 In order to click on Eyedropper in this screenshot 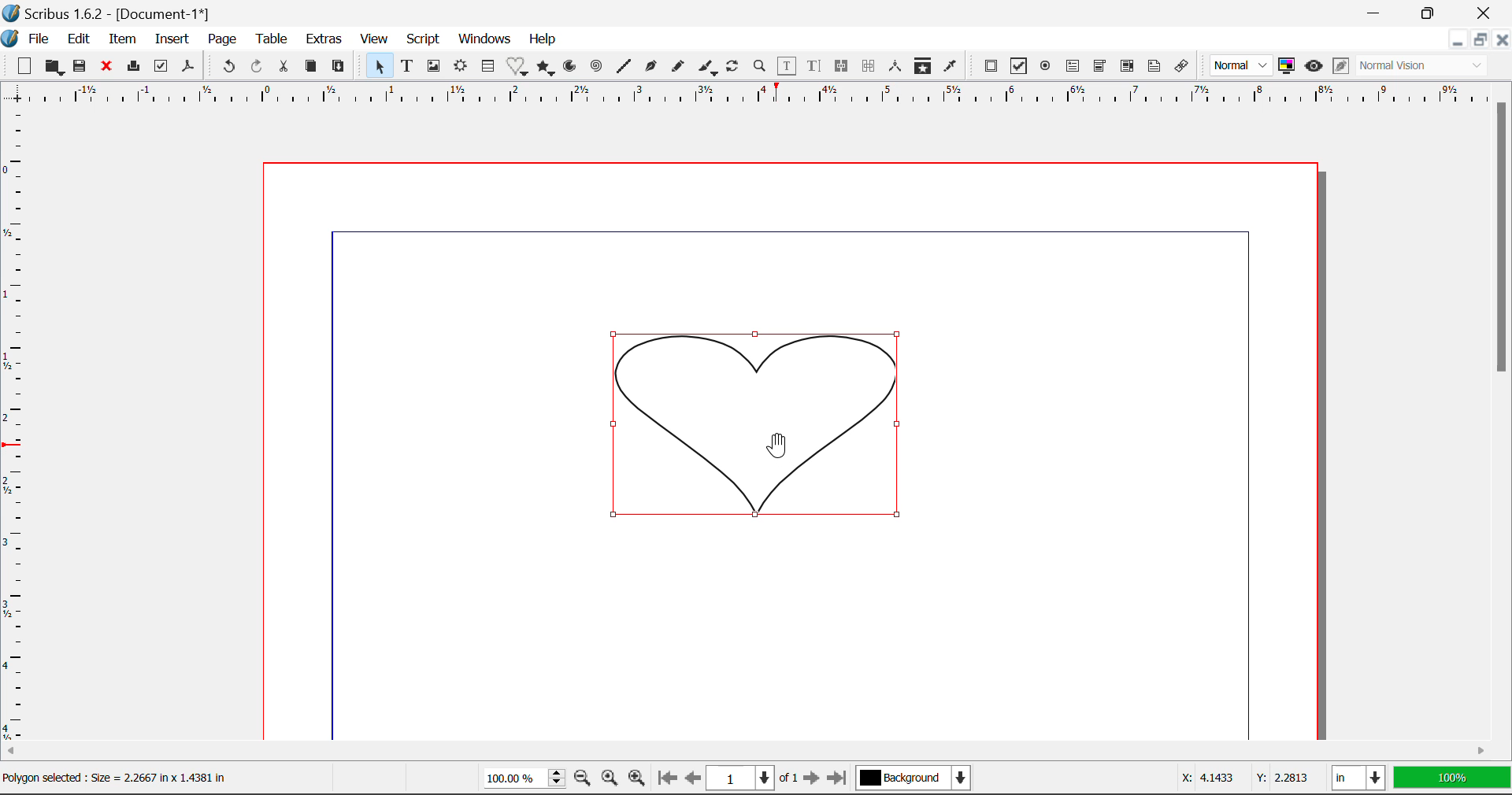, I will do `click(951, 66)`.